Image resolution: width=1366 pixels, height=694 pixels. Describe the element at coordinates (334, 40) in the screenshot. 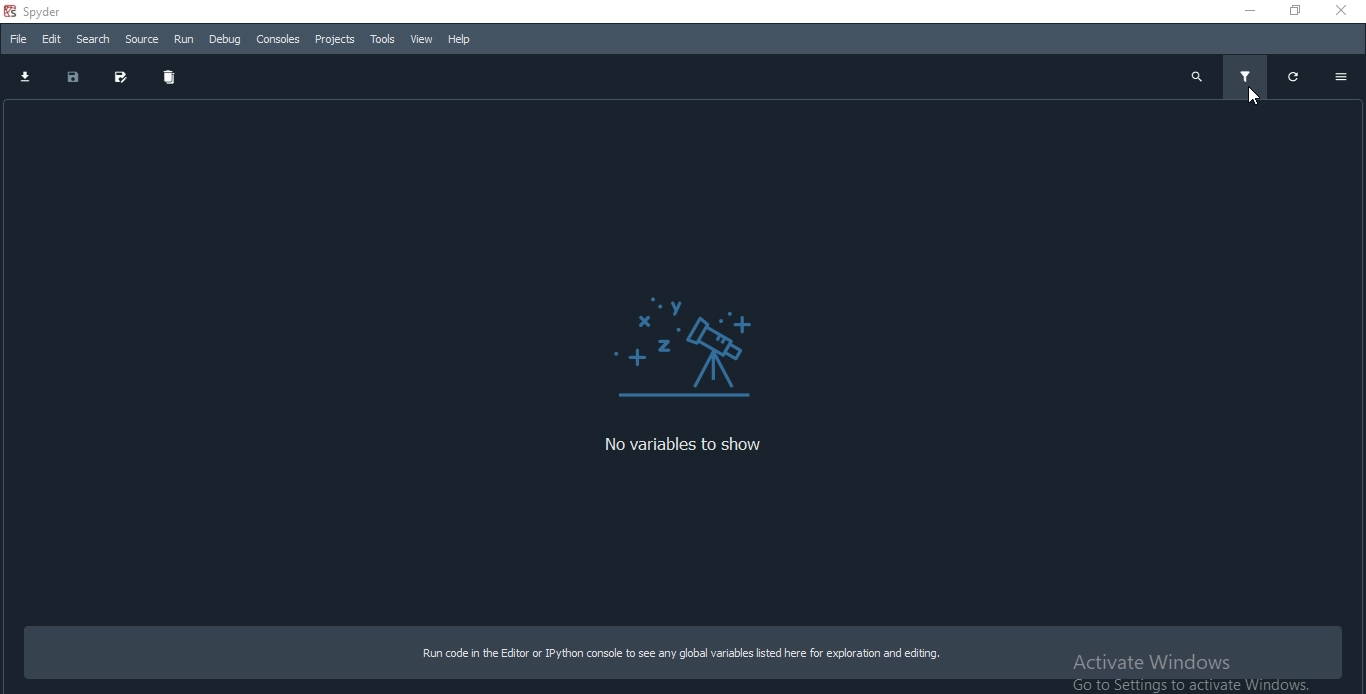

I see `Projects` at that location.